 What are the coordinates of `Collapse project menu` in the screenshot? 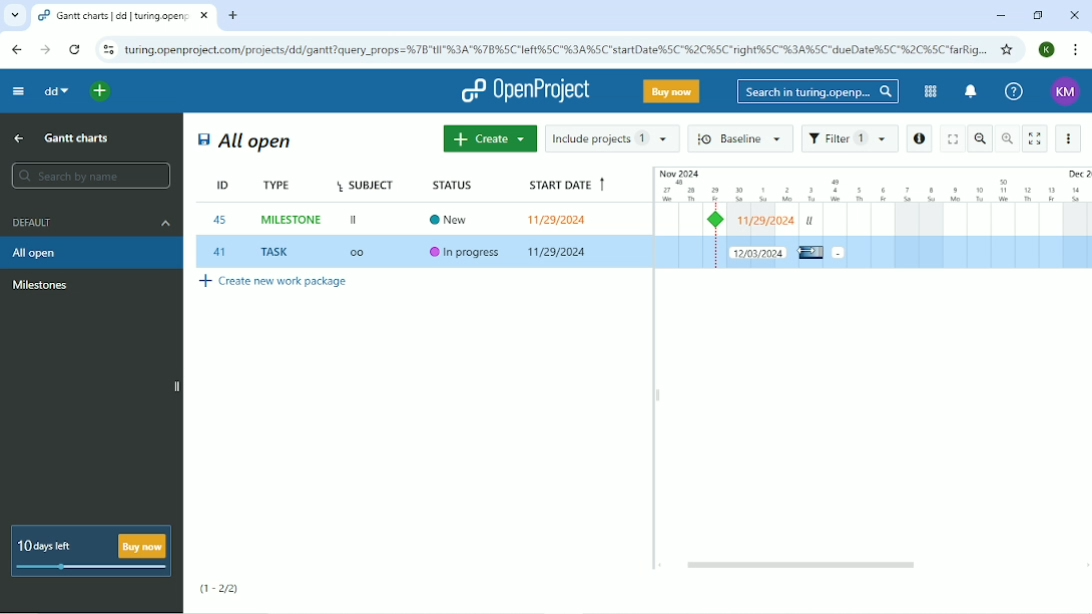 It's located at (18, 92).